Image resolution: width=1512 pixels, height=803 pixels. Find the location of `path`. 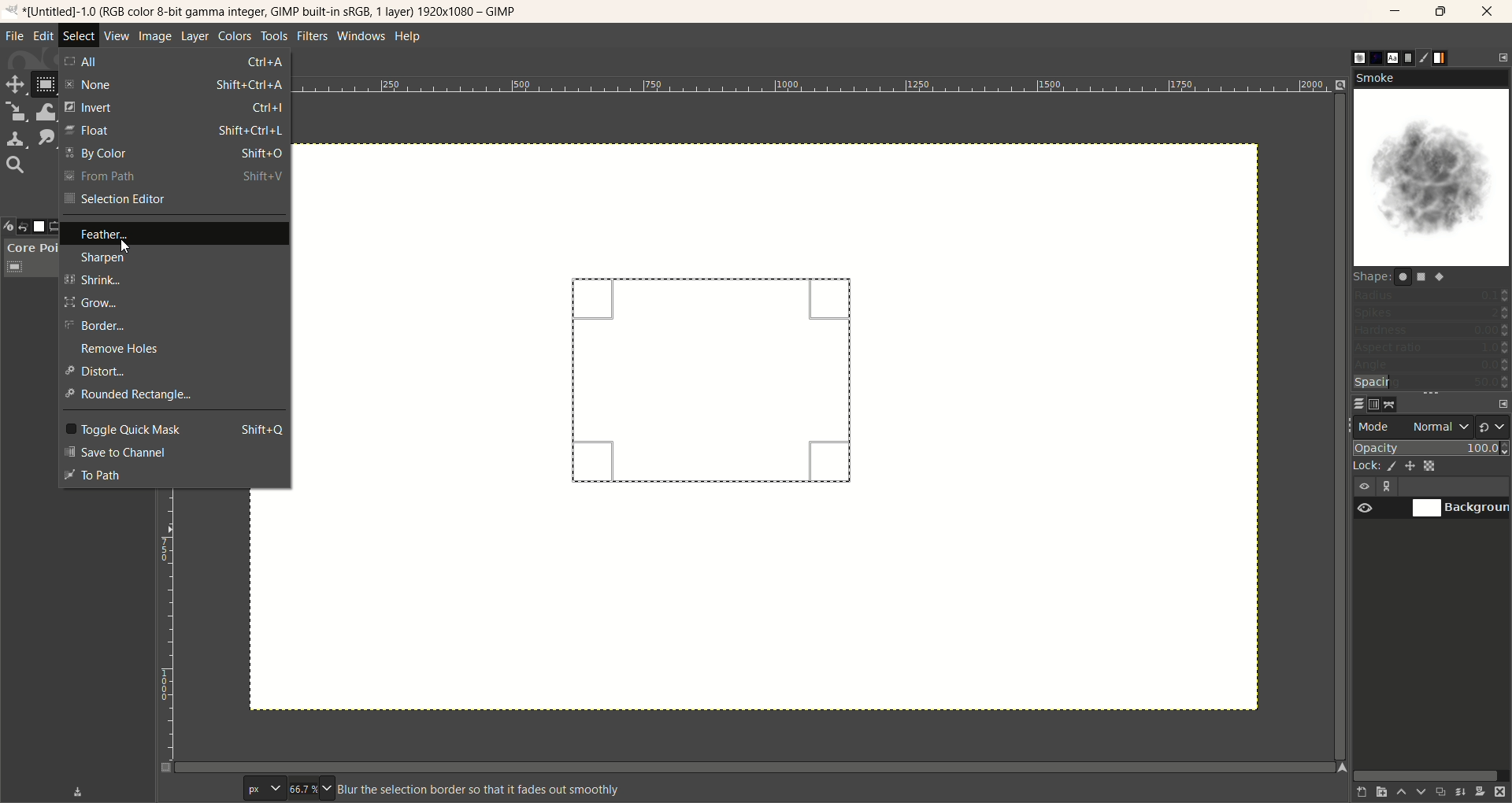

path is located at coordinates (1390, 404).